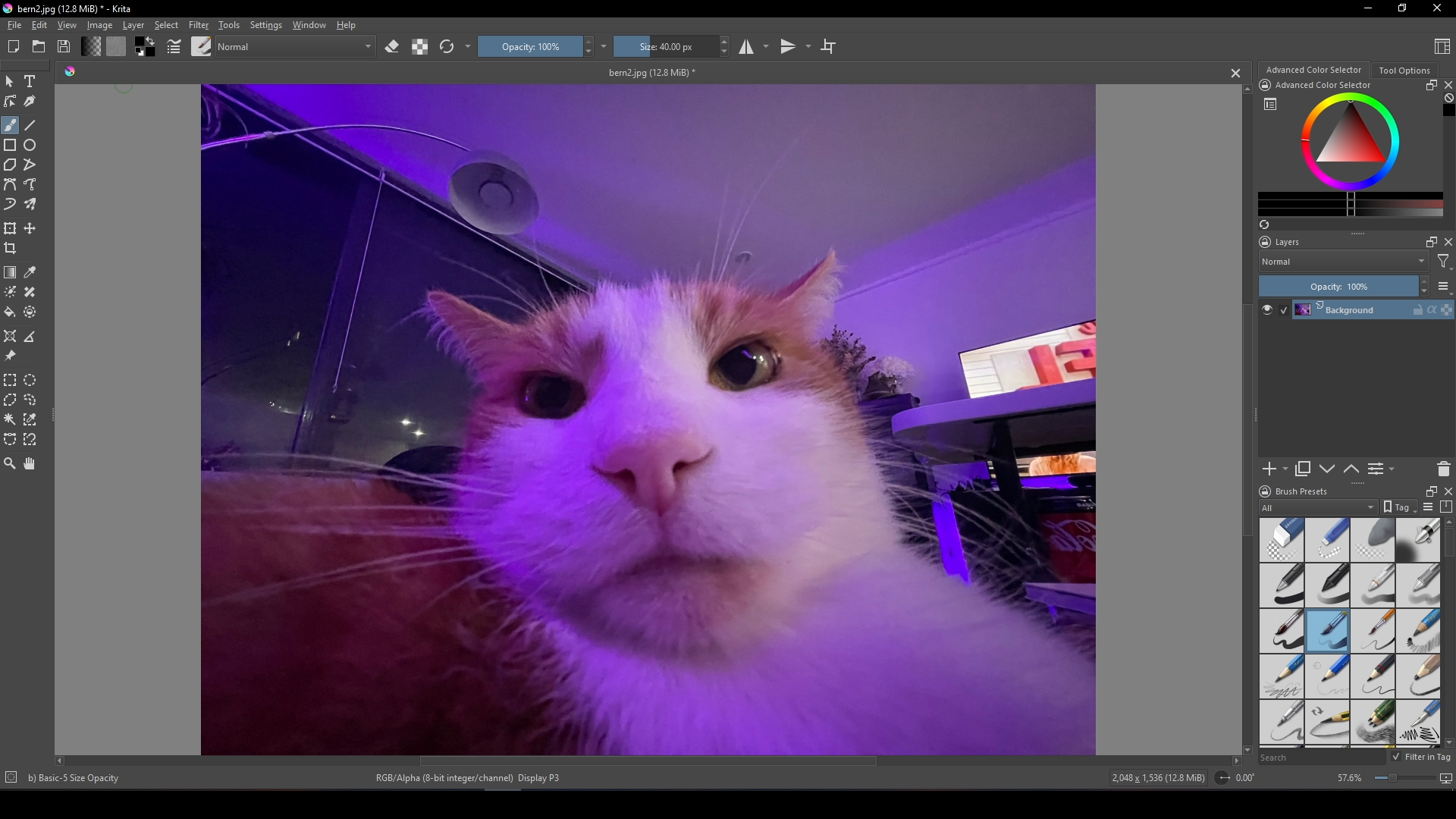 This screenshot has width=1456, height=819. I want to click on Image options 2, so click(607, 45).